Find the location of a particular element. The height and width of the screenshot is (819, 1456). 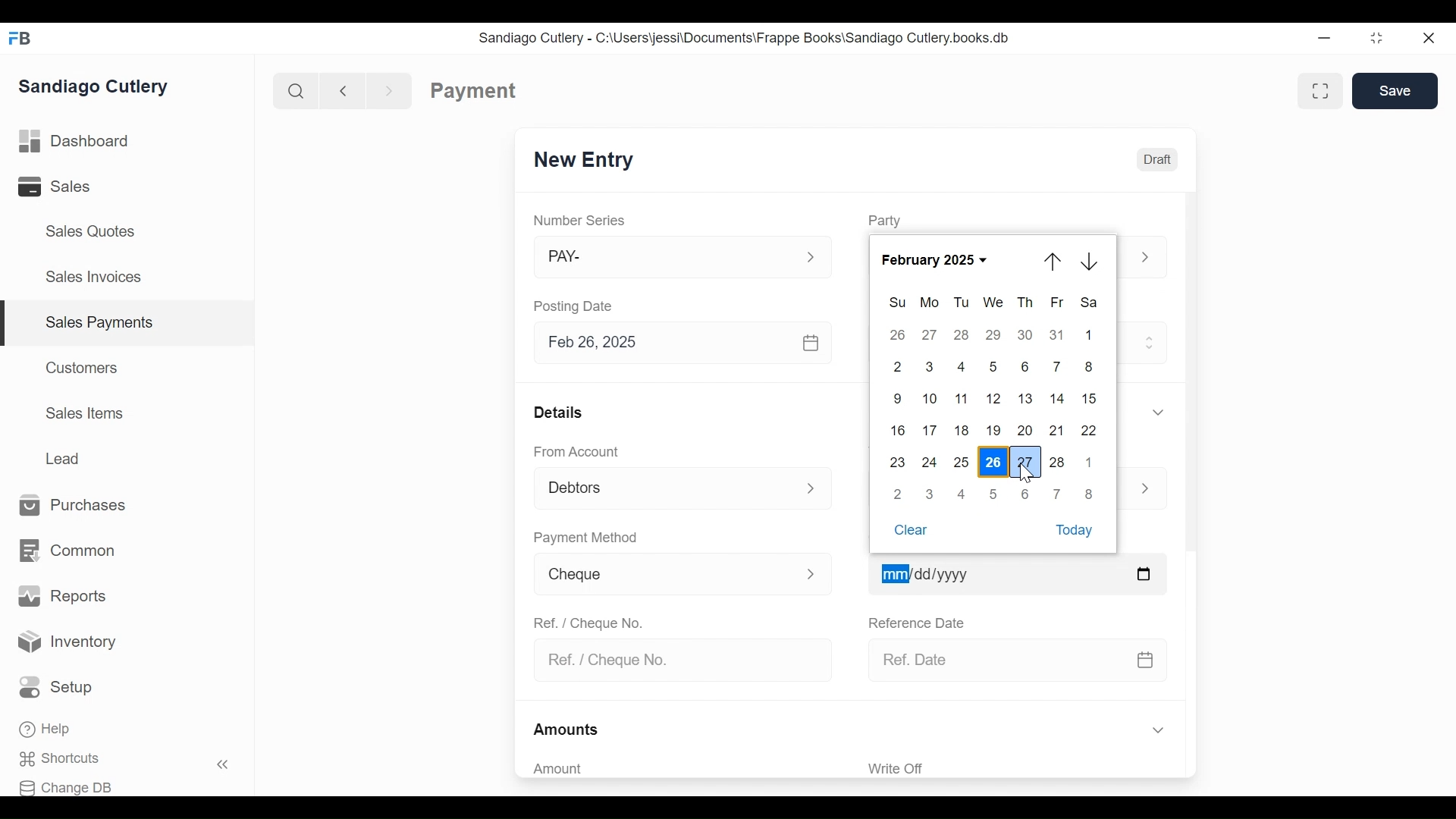

22 is located at coordinates (1090, 429).